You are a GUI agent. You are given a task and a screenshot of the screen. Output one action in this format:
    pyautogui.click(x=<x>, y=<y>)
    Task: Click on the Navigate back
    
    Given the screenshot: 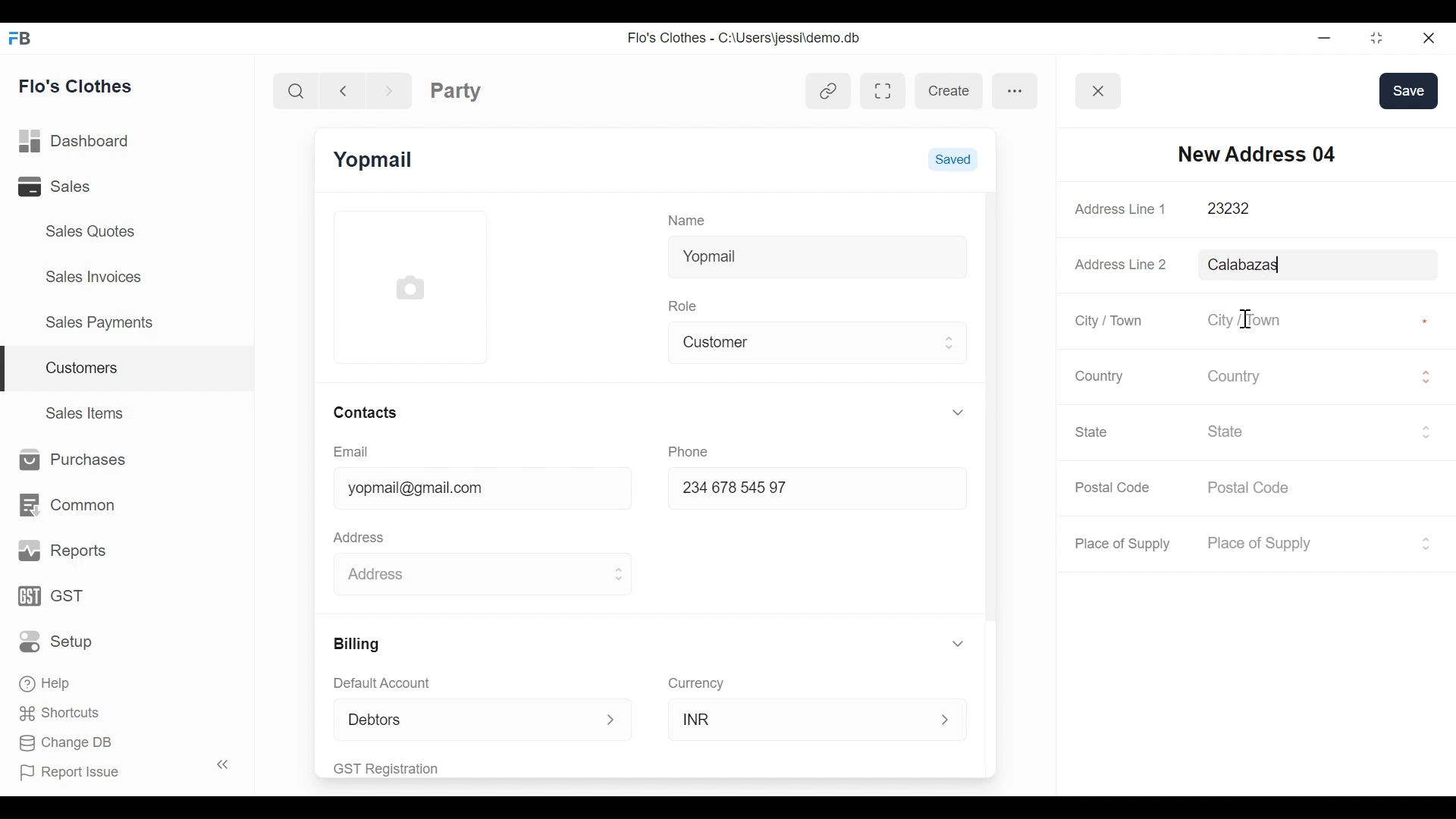 What is the action you would take?
    pyautogui.click(x=341, y=89)
    